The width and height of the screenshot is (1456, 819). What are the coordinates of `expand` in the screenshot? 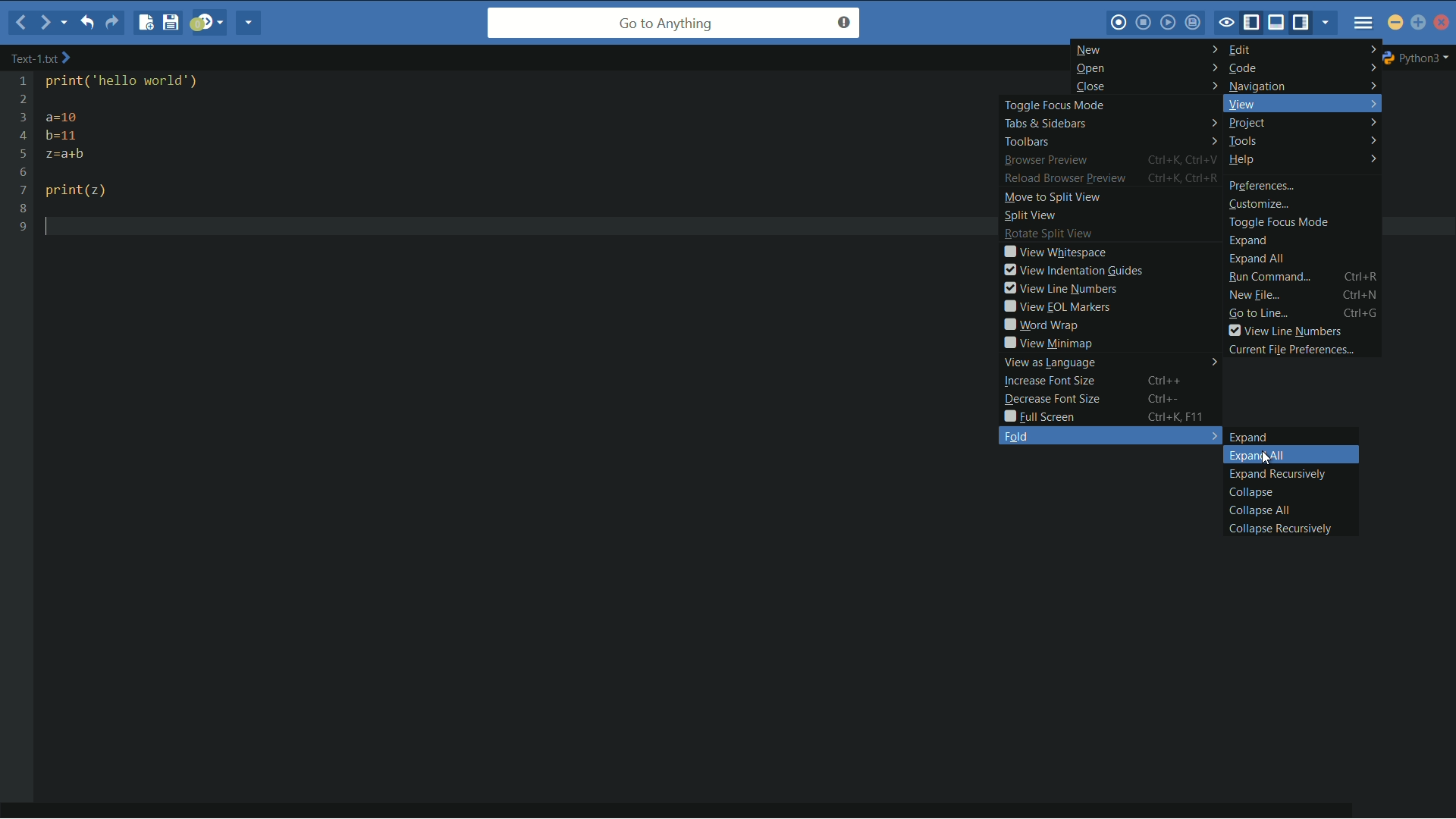 It's located at (1247, 240).